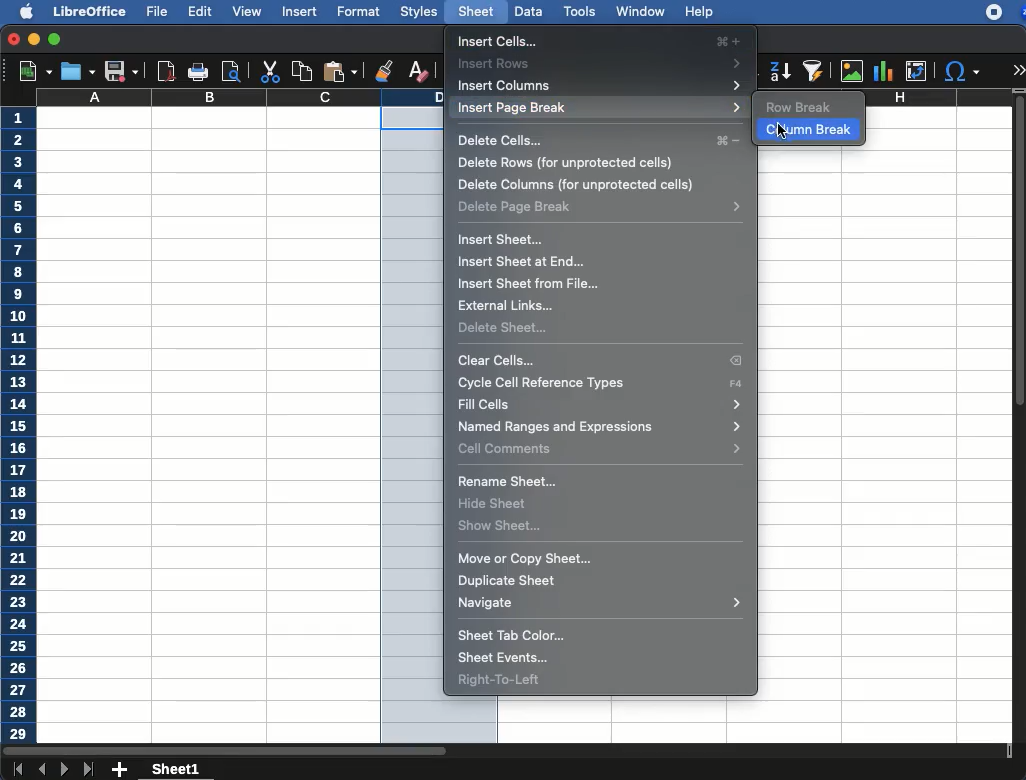 The image size is (1026, 780). Describe the element at coordinates (413, 426) in the screenshot. I see `column selected` at that location.